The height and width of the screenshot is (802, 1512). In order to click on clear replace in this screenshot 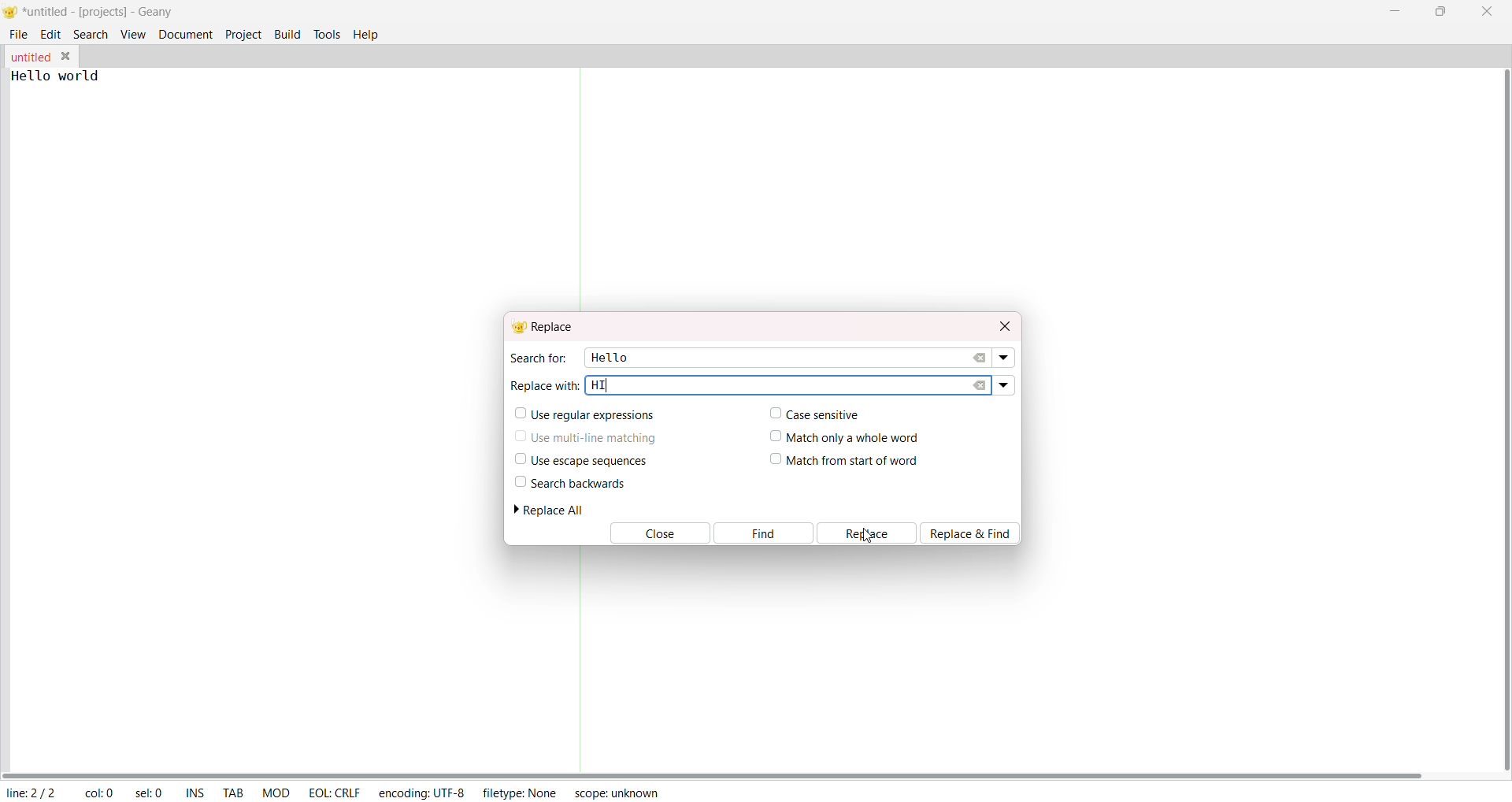, I will do `click(980, 385)`.